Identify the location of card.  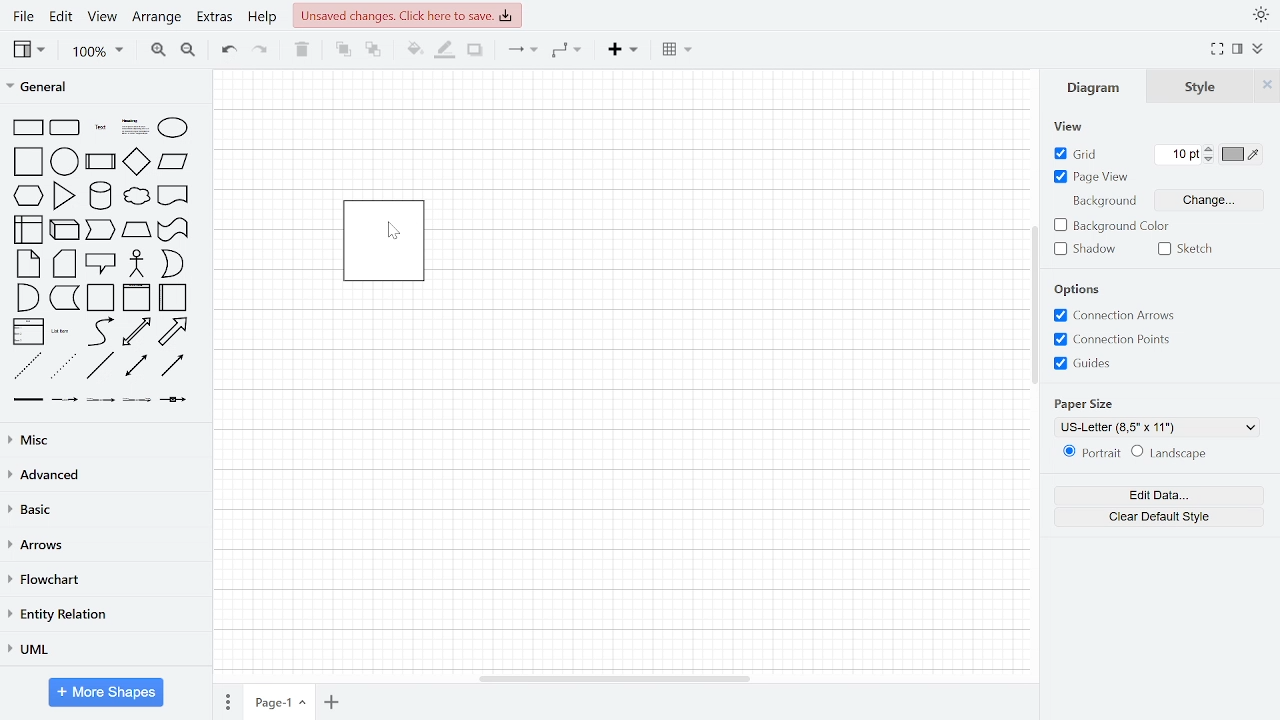
(65, 264).